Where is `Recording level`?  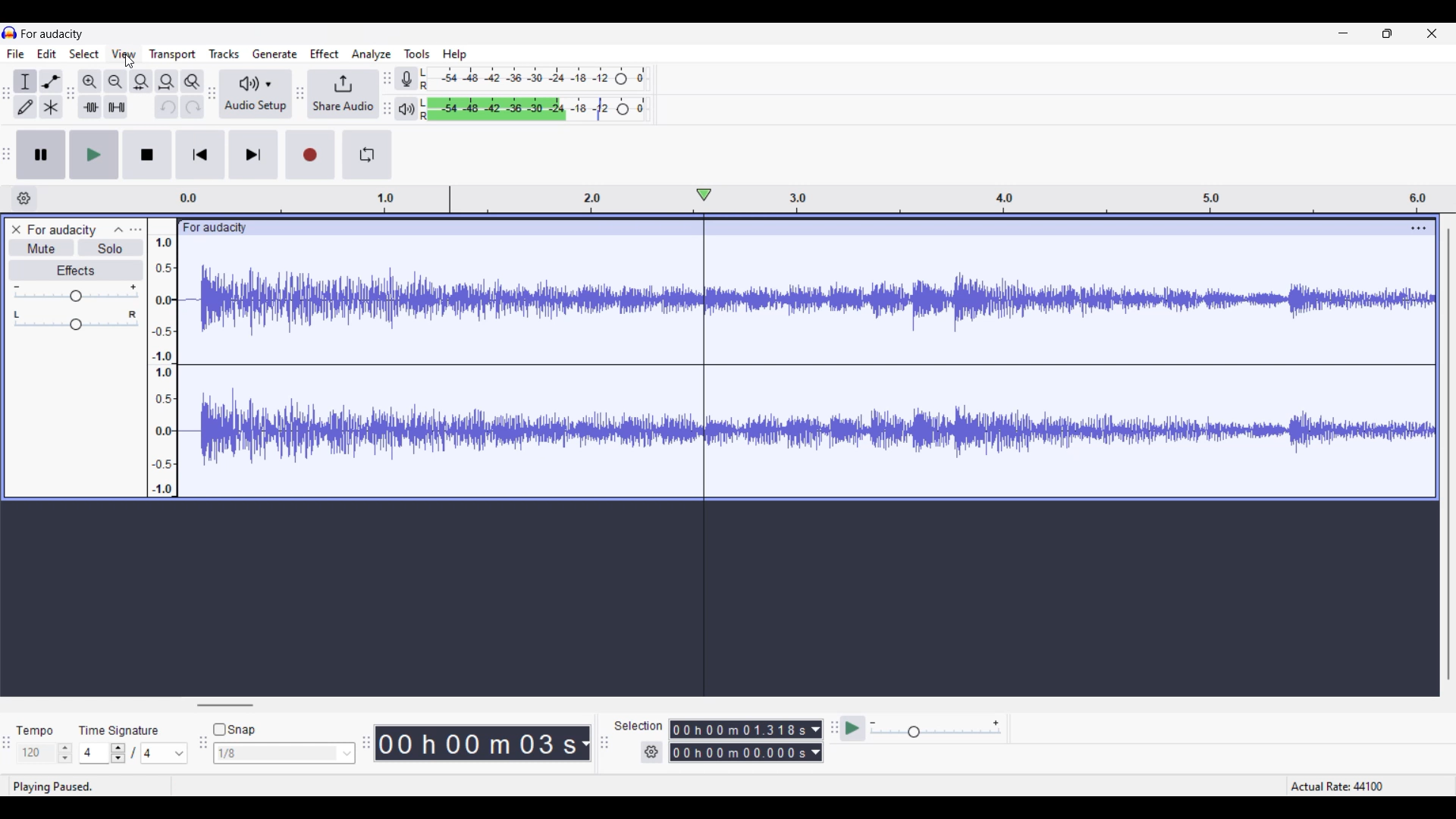 Recording level is located at coordinates (535, 79).